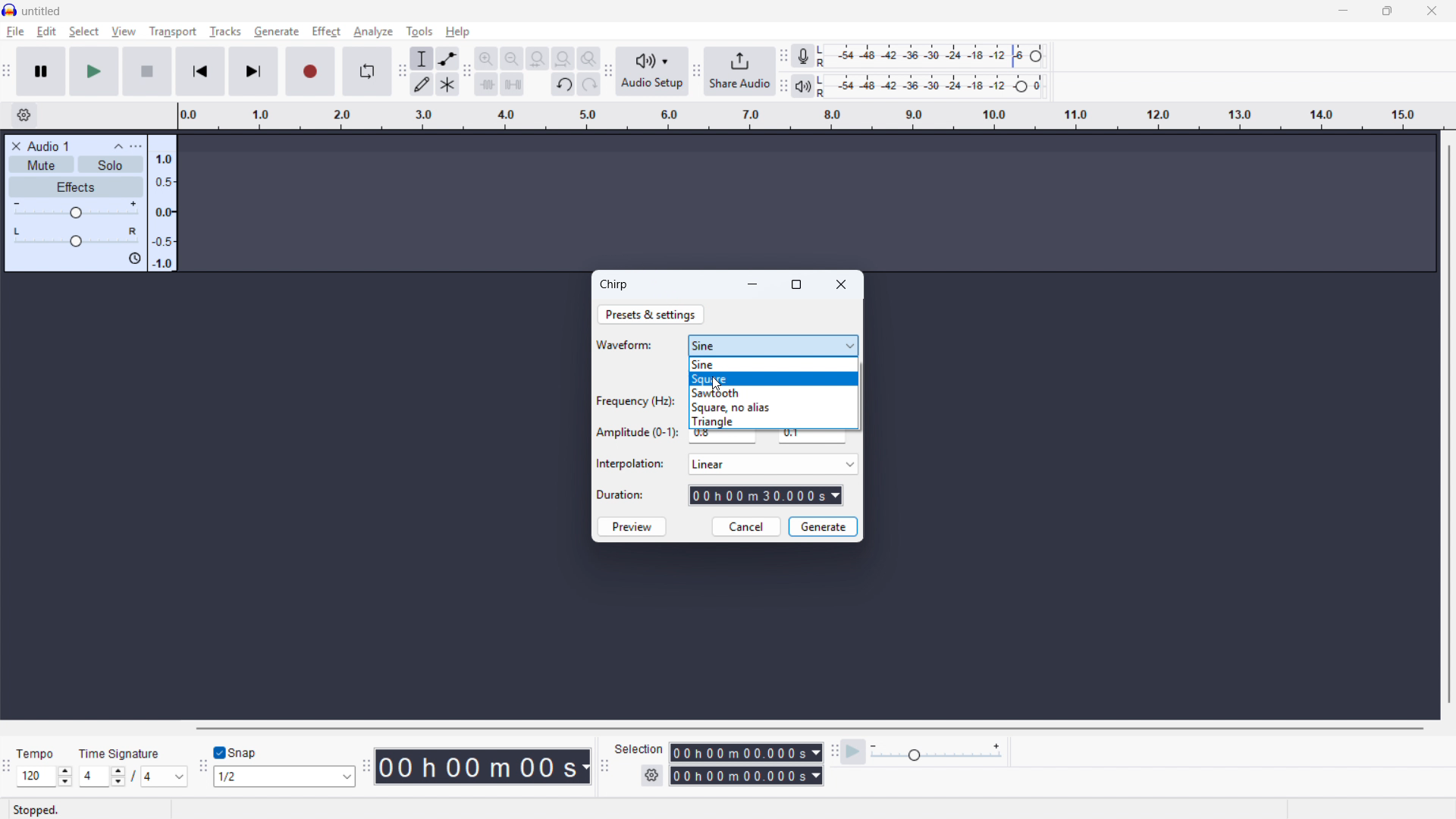 This screenshot has width=1456, height=819. What do you see at coordinates (162, 203) in the screenshot?
I see `Amplitude` at bounding box center [162, 203].